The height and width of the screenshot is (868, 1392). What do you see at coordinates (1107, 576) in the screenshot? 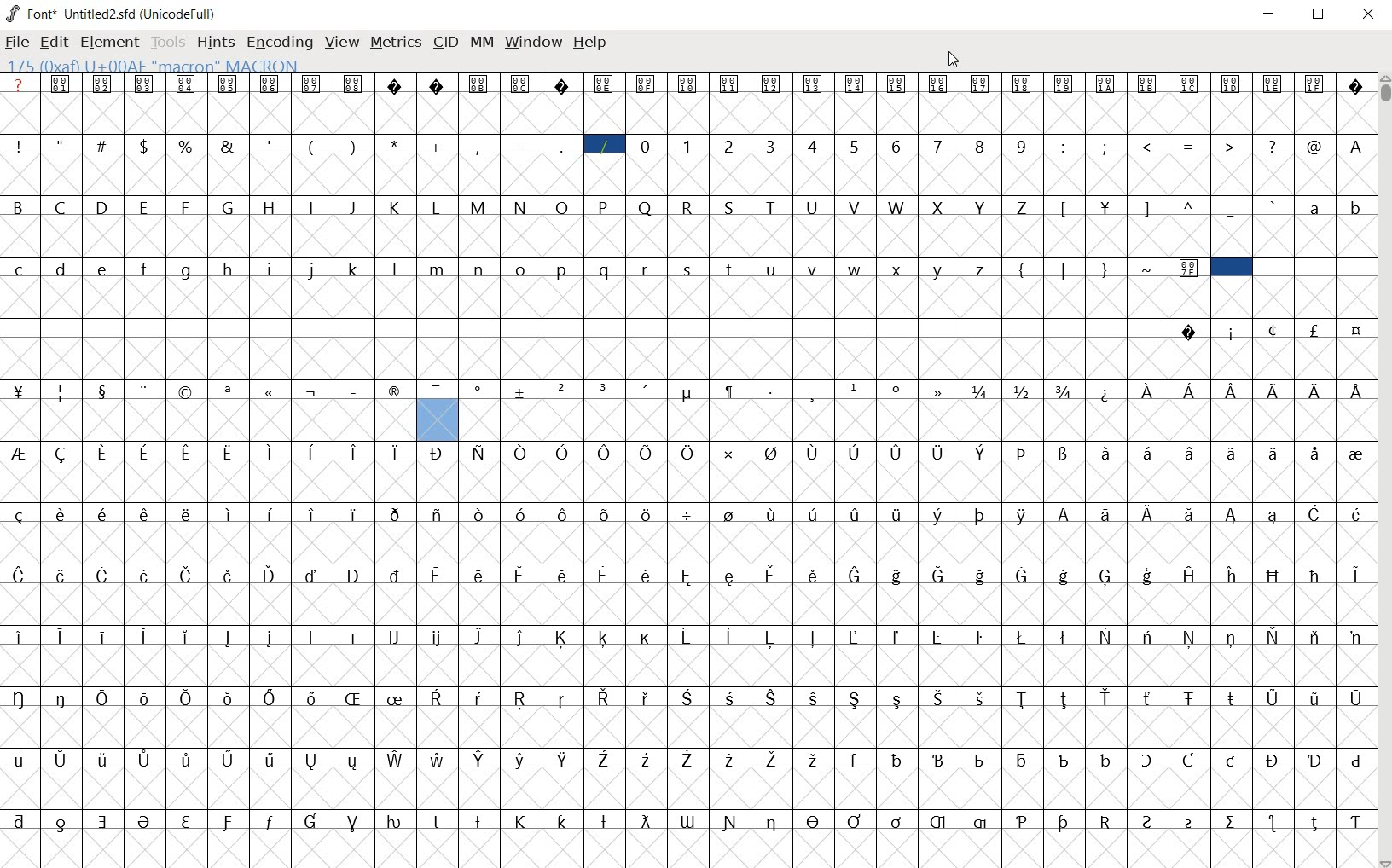
I see `Symbol` at bounding box center [1107, 576].